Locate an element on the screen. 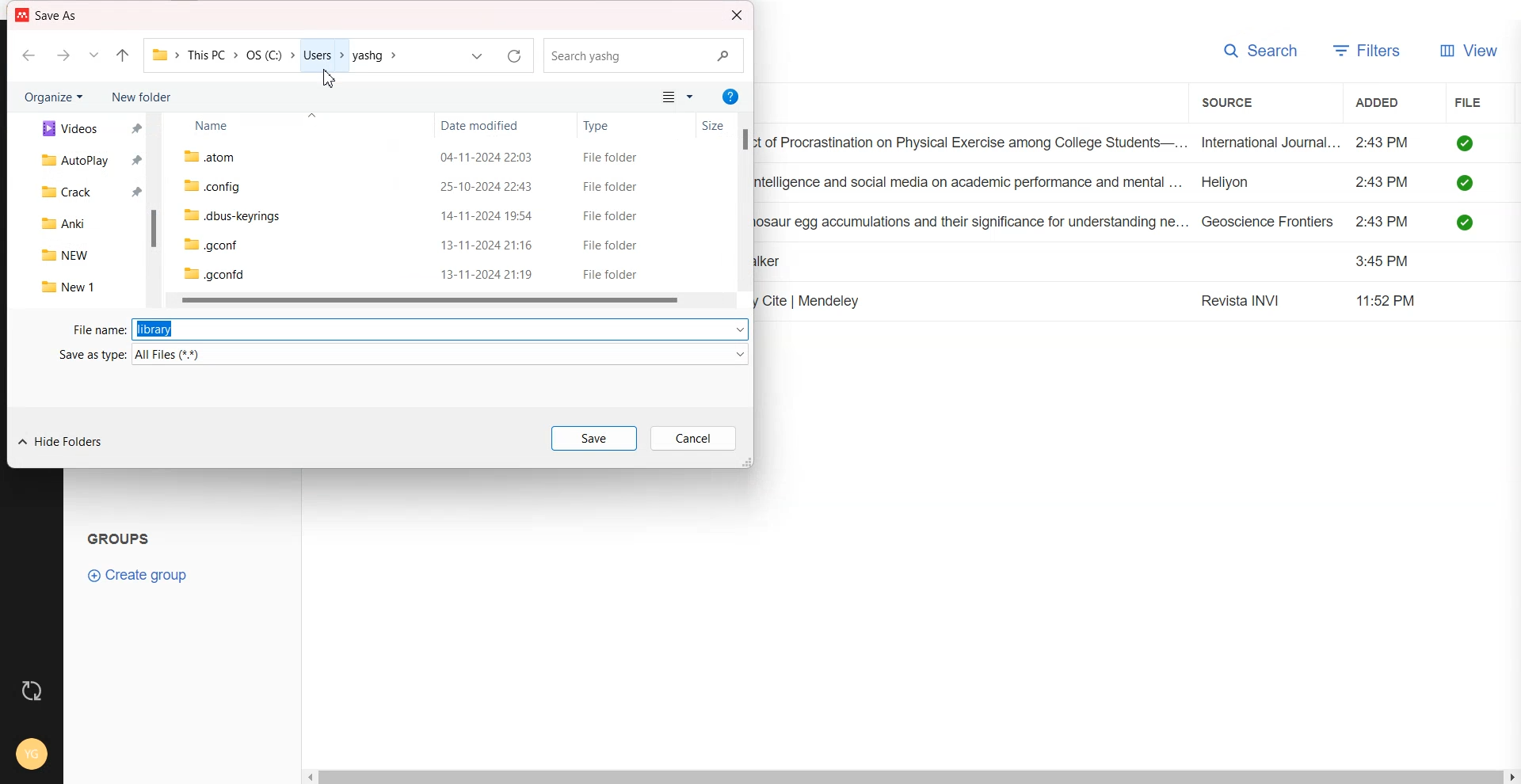 The height and width of the screenshot is (784, 1521). Autoplay is located at coordinates (90, 159).